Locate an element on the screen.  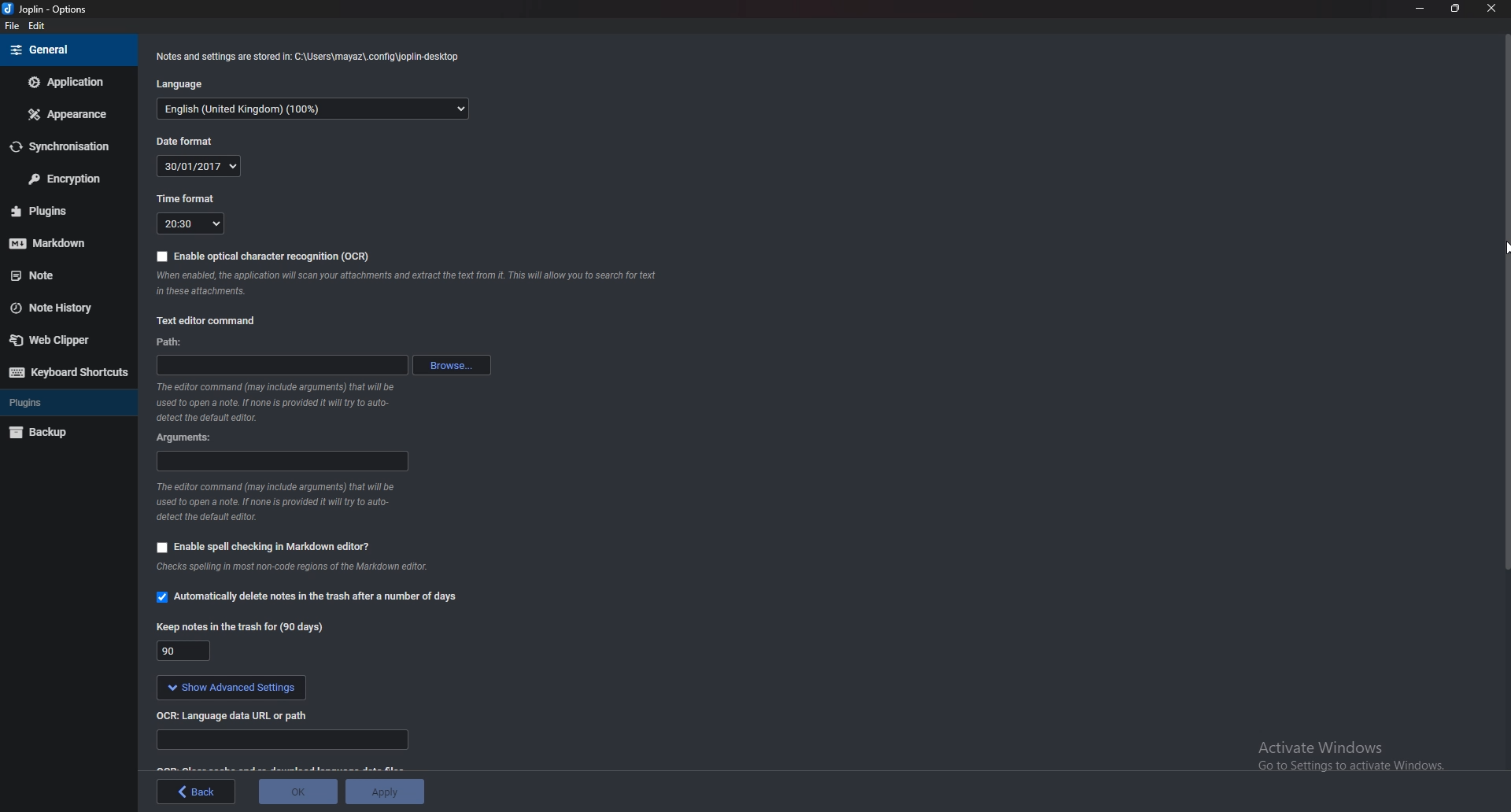
Synchronization is located at coordinates (66, 145).